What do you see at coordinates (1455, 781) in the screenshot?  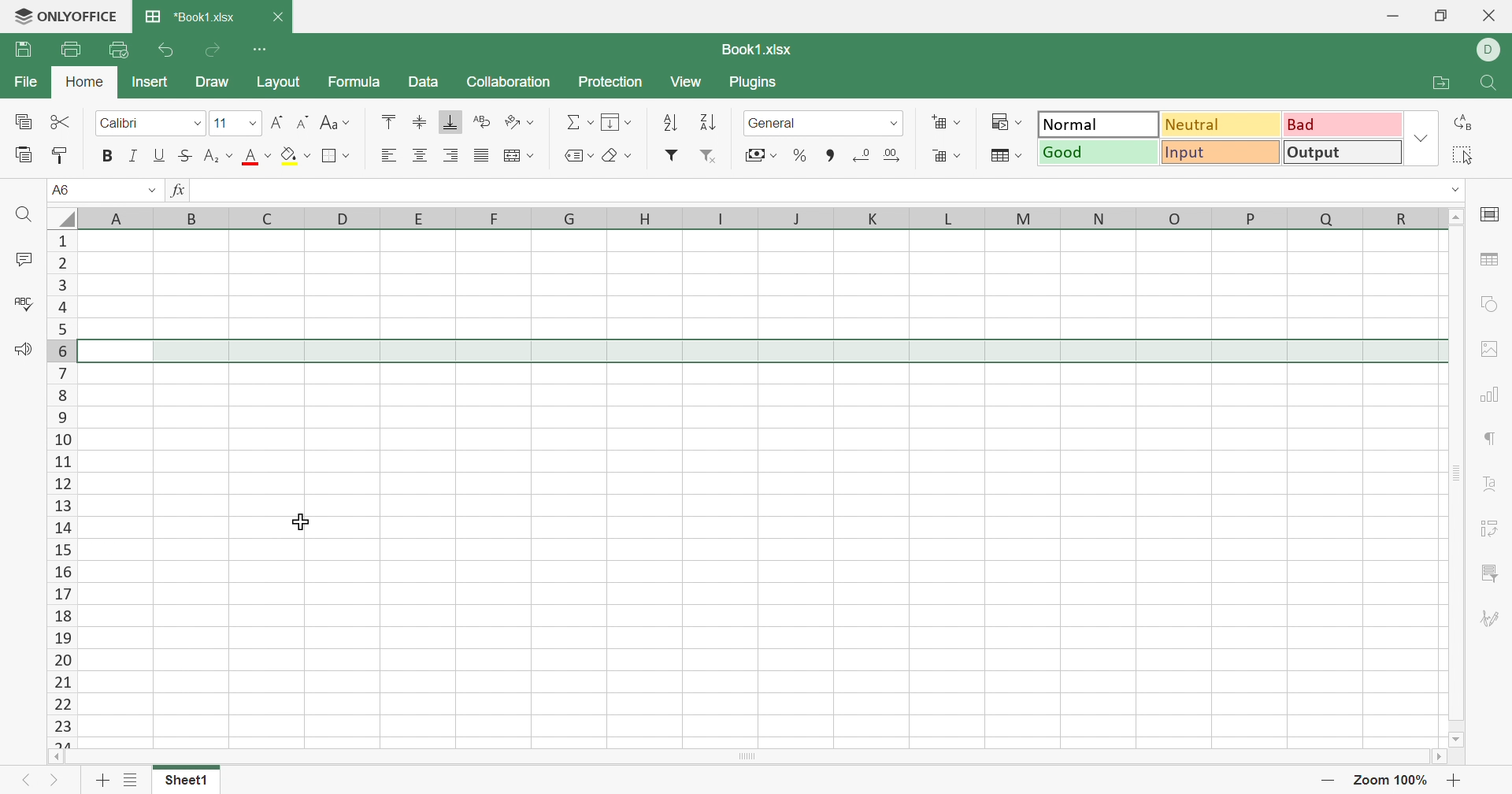 I see `Zoom in` at bounding box center [1455, 781].